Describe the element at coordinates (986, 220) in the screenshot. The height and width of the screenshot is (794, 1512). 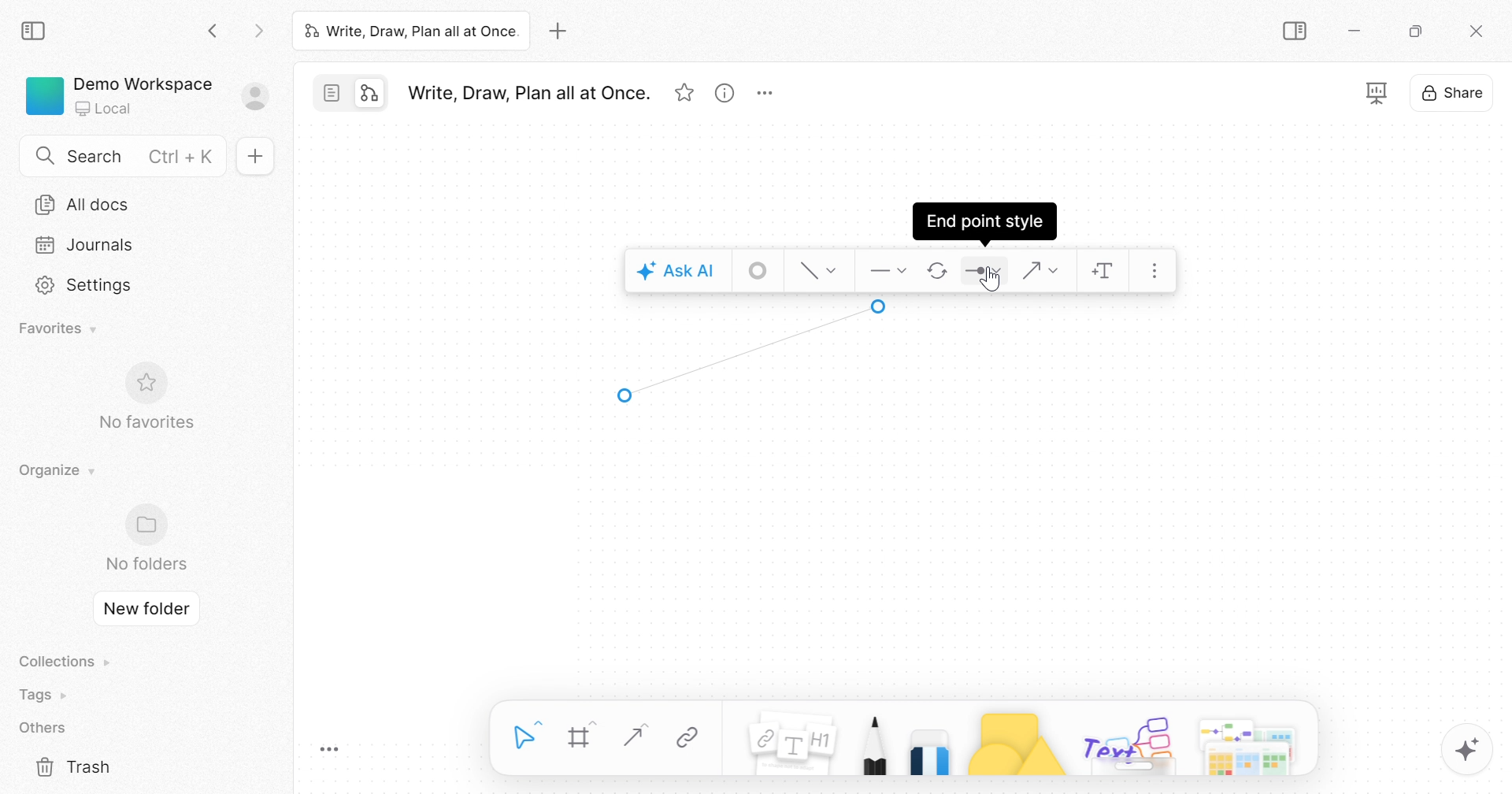
I see `End point style` at that location.